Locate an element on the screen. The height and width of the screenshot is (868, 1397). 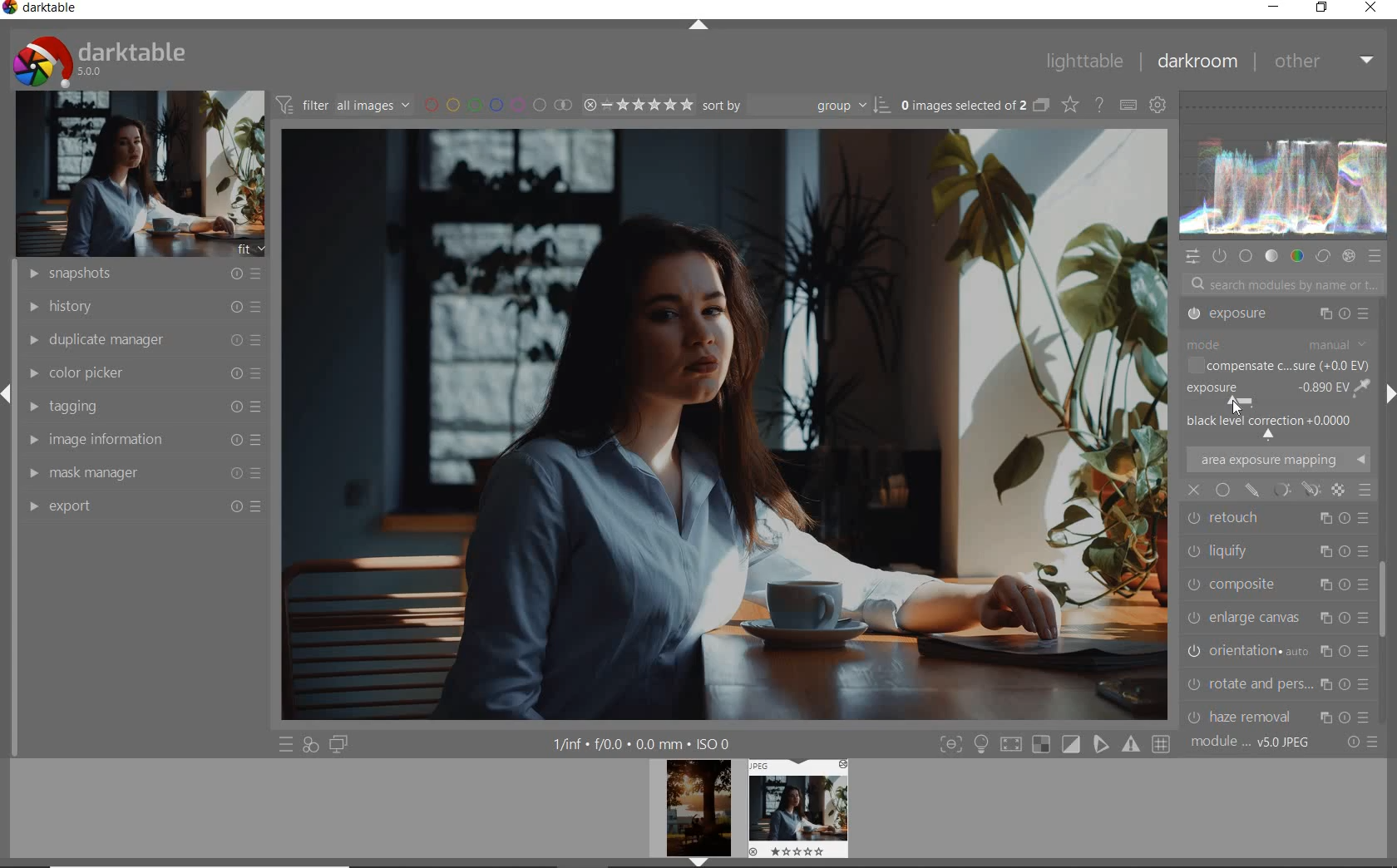
DEFINE KEYBOARD SHORTCUT is located at coordinates (1129, 106).